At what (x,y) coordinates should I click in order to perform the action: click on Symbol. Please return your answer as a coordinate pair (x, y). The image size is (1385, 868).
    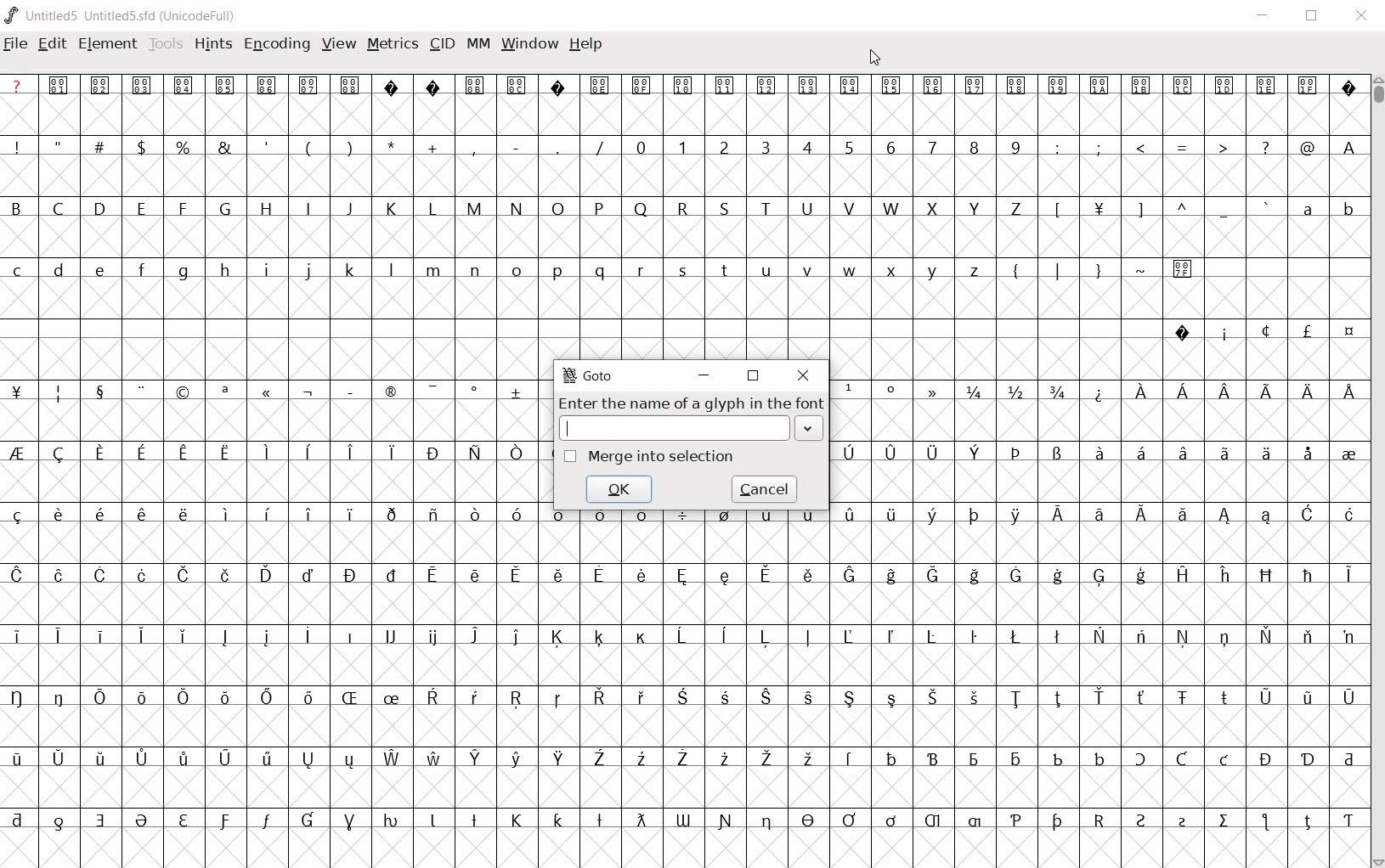
    Looking at the image, I should click on (642, 574).